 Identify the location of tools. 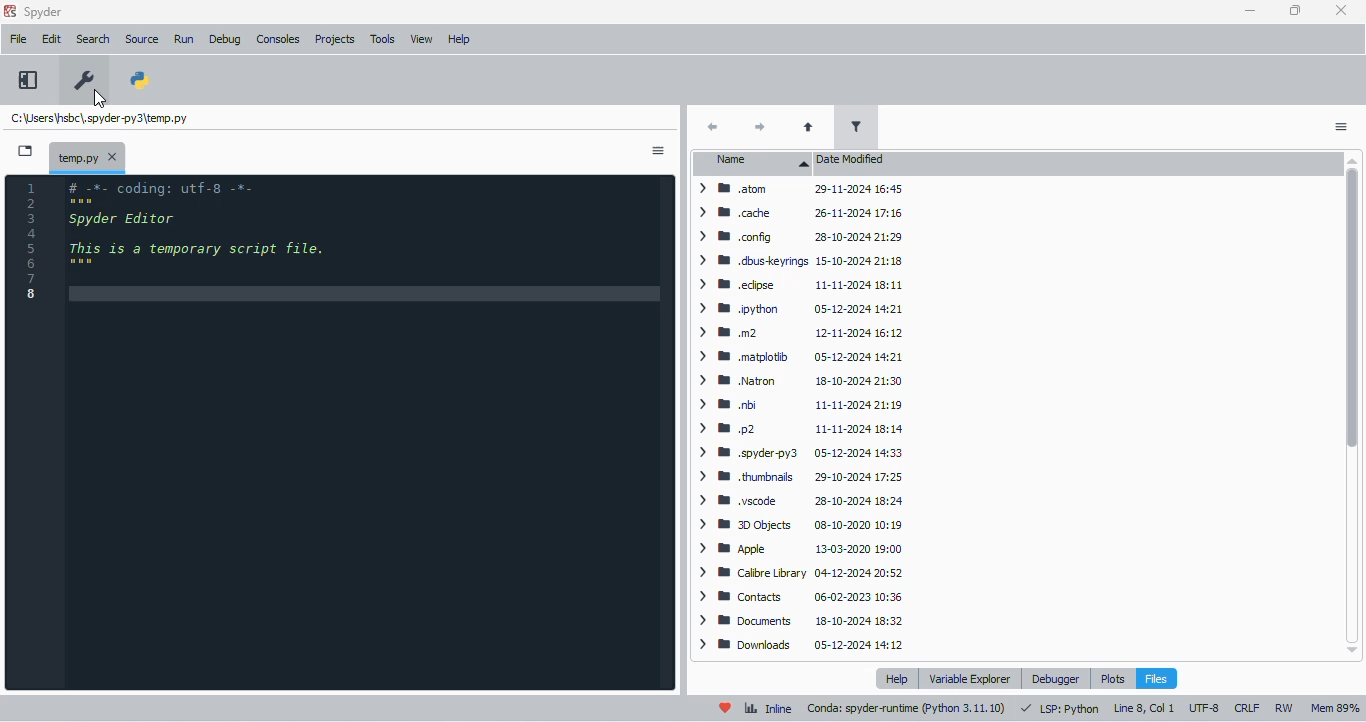
(382, 39).